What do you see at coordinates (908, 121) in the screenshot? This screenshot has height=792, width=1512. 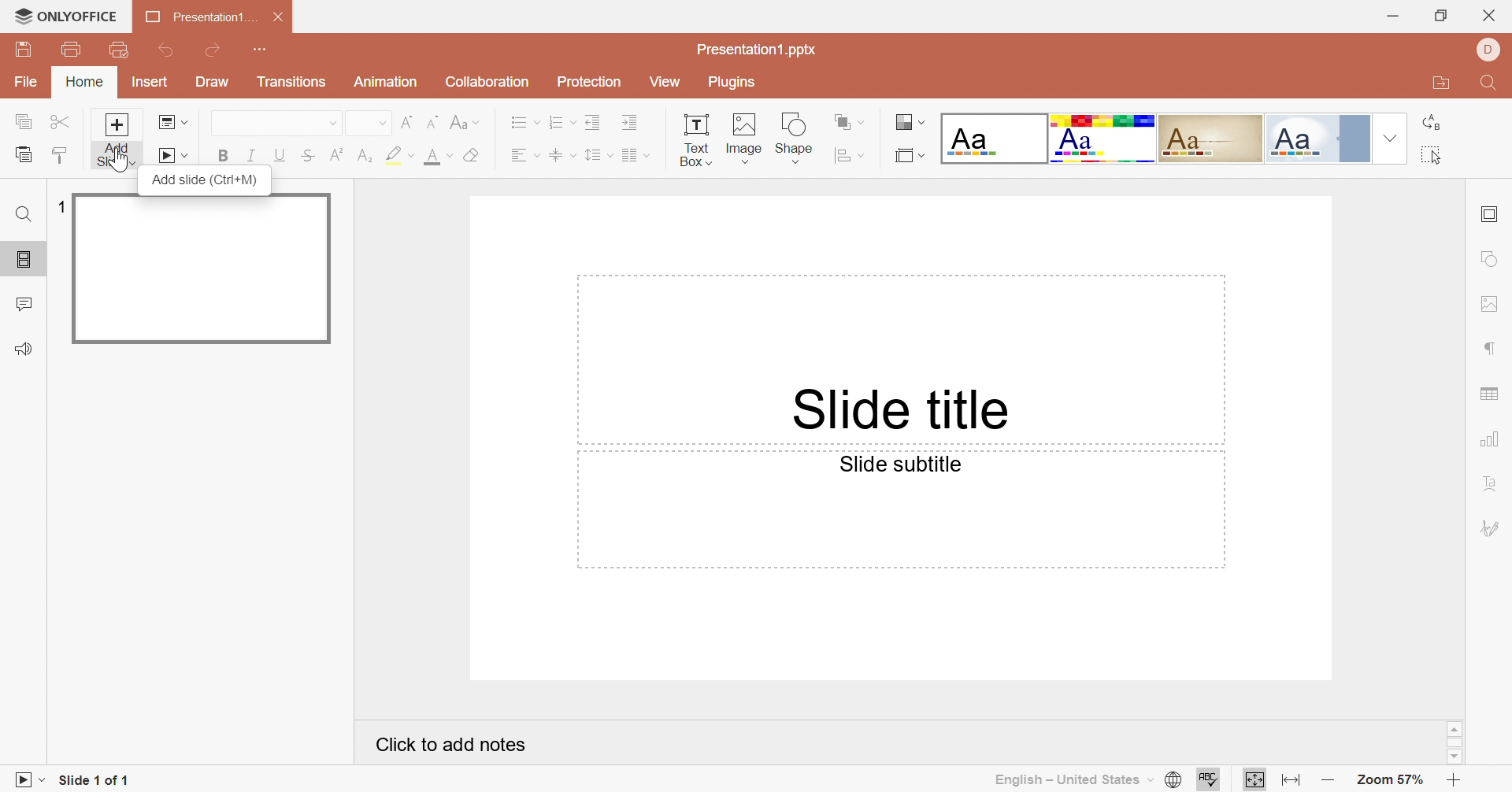 I see `Change color theme` at bounding box center [908, 121].